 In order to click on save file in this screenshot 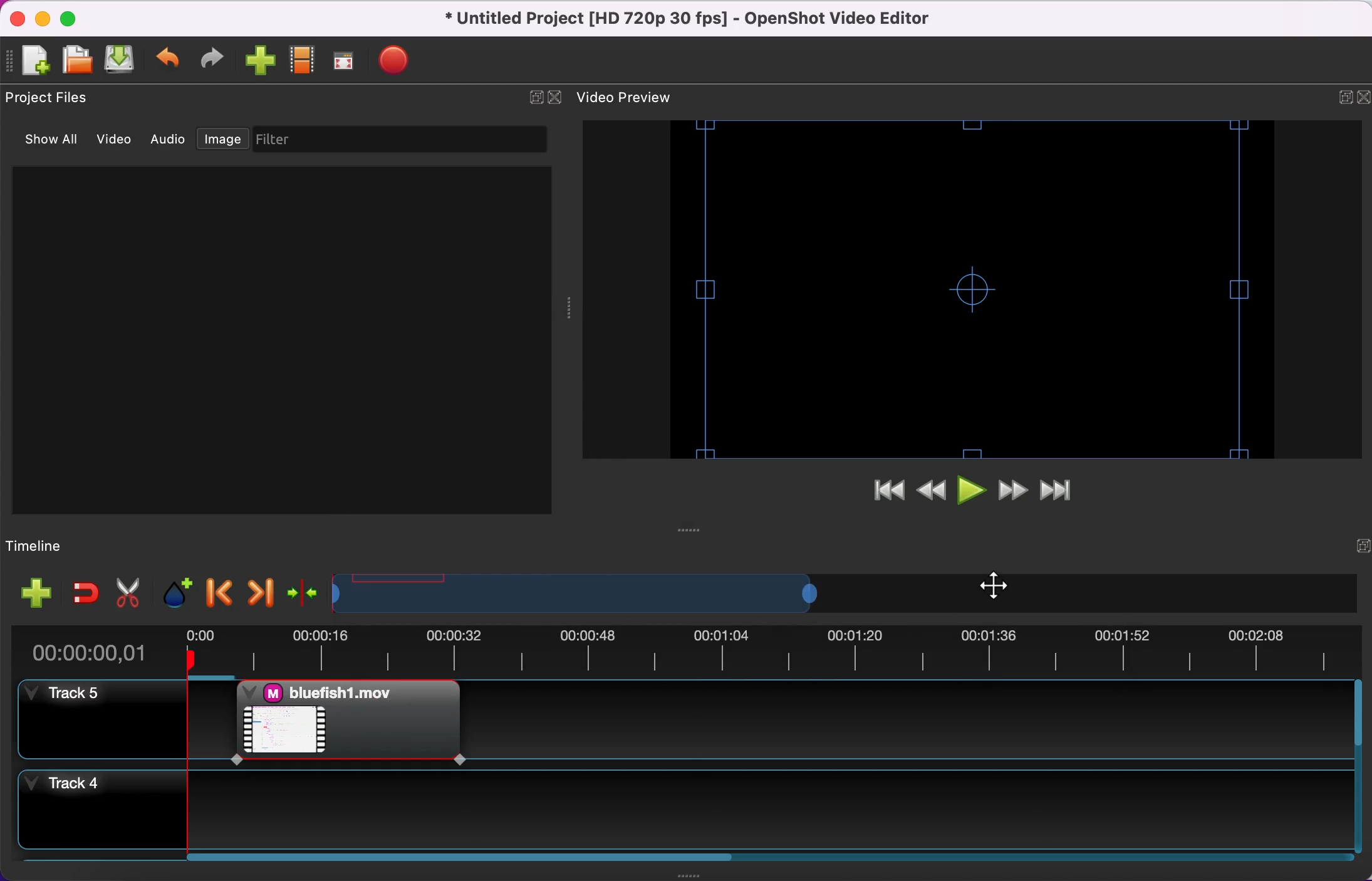, I will do `click(123, 61)`.